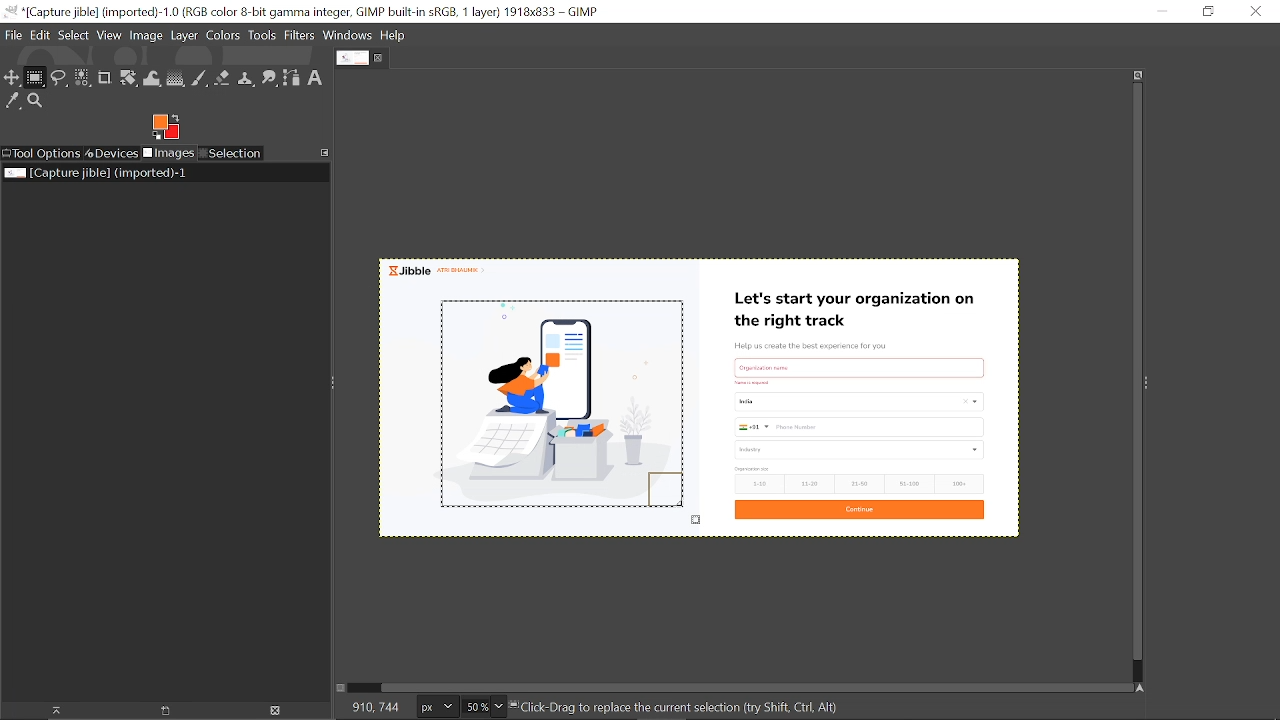 Image resolution: width=1280 pixels, height=720 pixels. Describe the element at coordinates (185, 36) in the screenshot. I see `Layer` at that location.